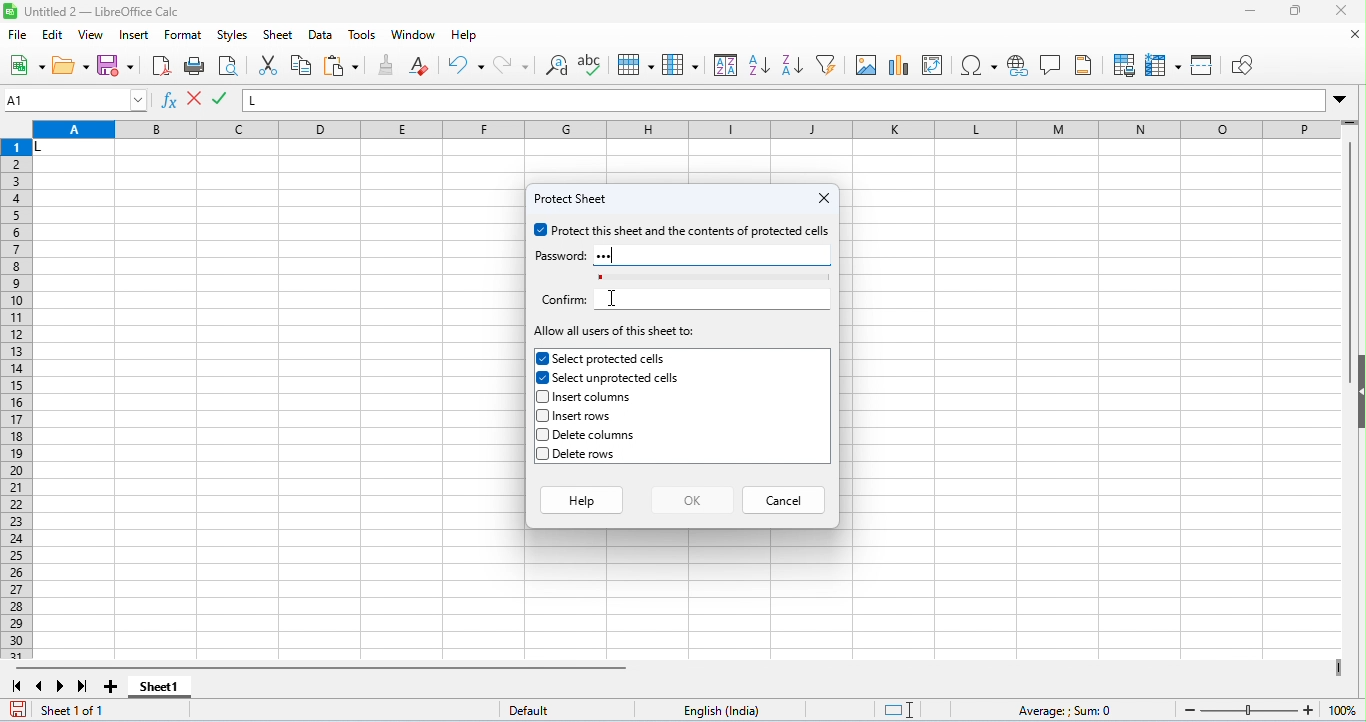 This screenshot has height=722, width=1366. What do you see at coordinates (196, 100) in the screenshot?
I see `accept` at bounding box center [196, 100].